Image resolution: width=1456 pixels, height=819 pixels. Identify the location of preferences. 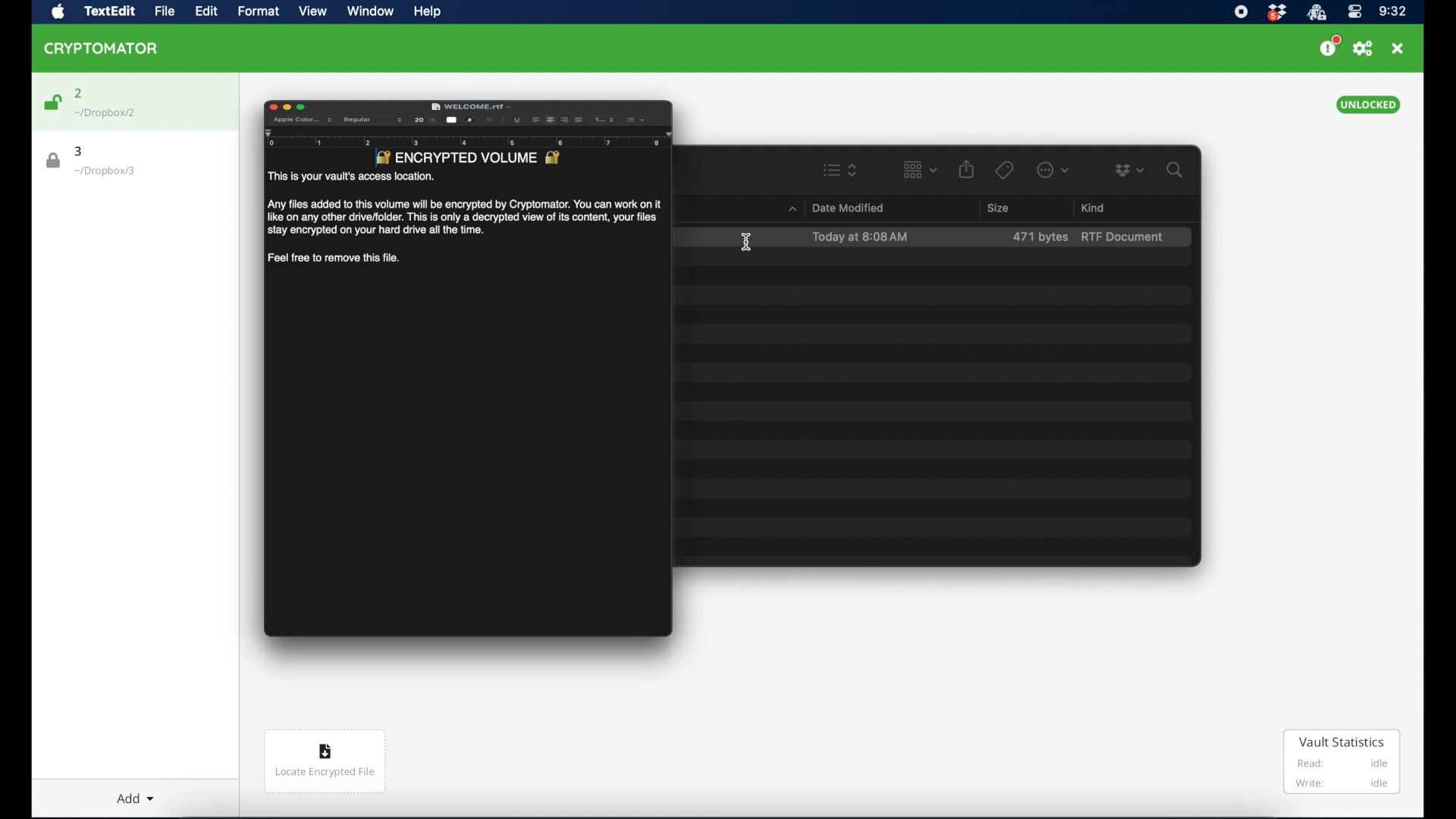
(1364, 49).